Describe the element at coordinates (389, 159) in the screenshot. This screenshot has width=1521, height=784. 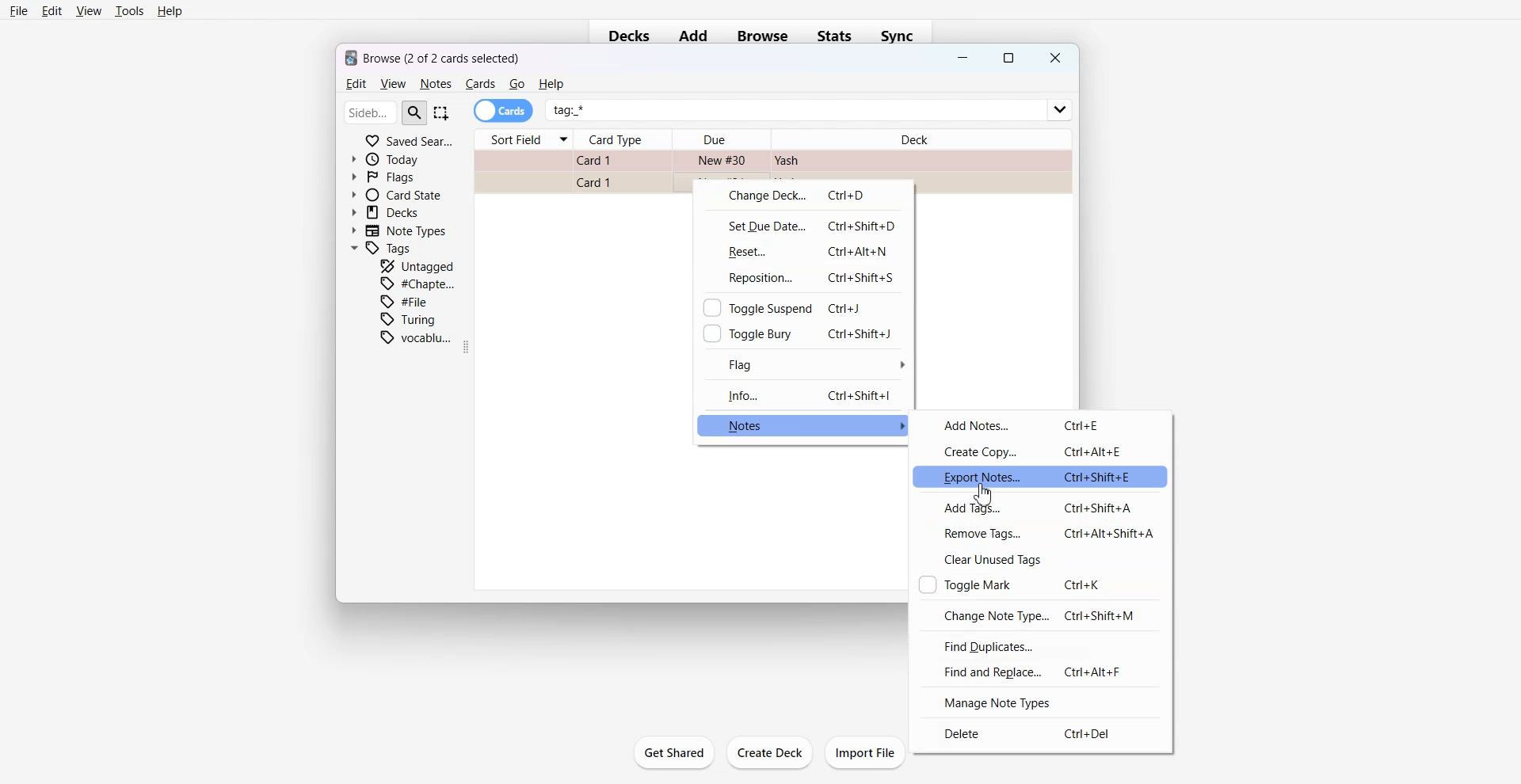
I see `Today` at that location.